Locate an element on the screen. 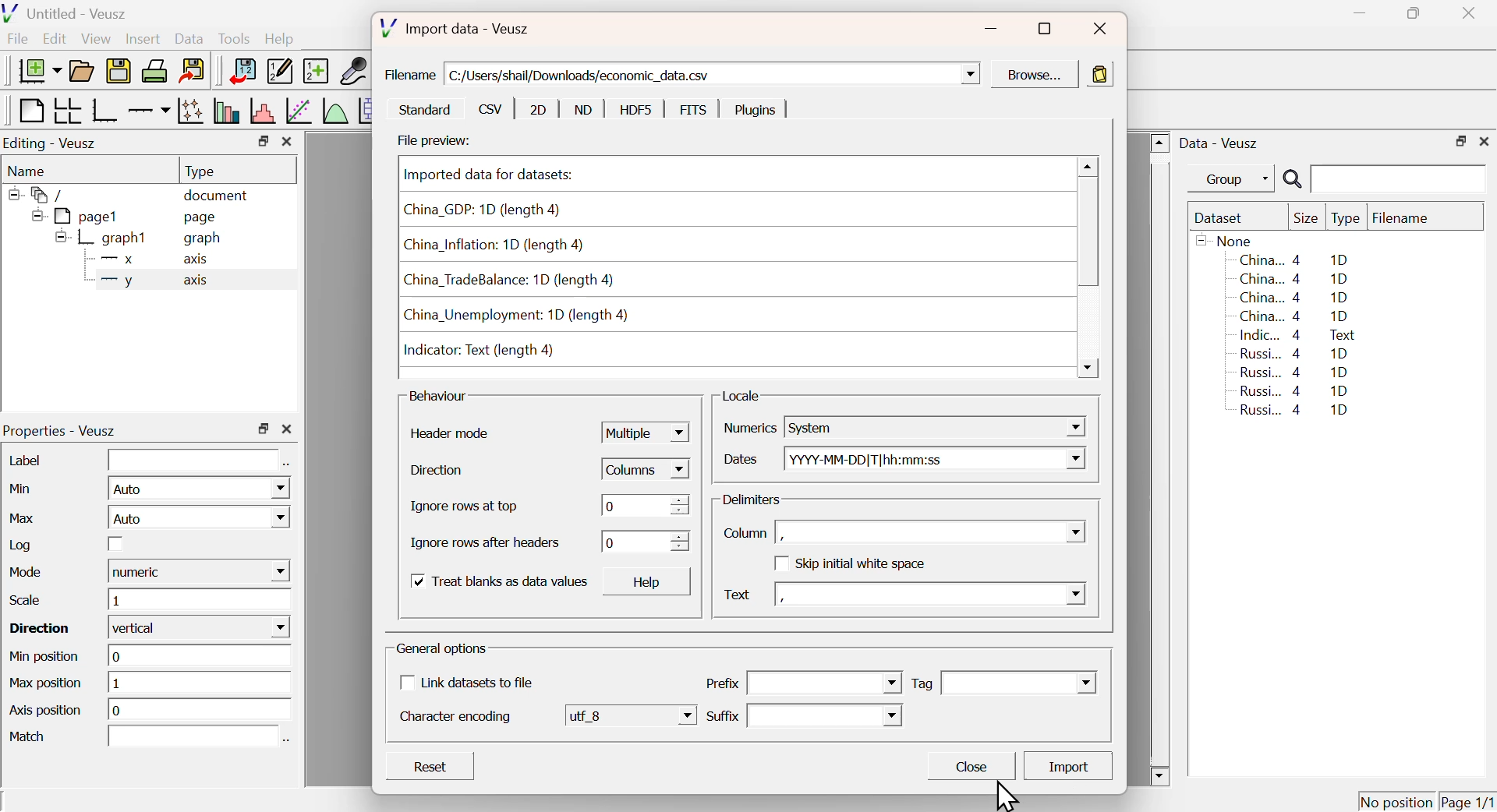 This screenshot has height=812, width=1497. Import Data is located at coordinates (242, 71).